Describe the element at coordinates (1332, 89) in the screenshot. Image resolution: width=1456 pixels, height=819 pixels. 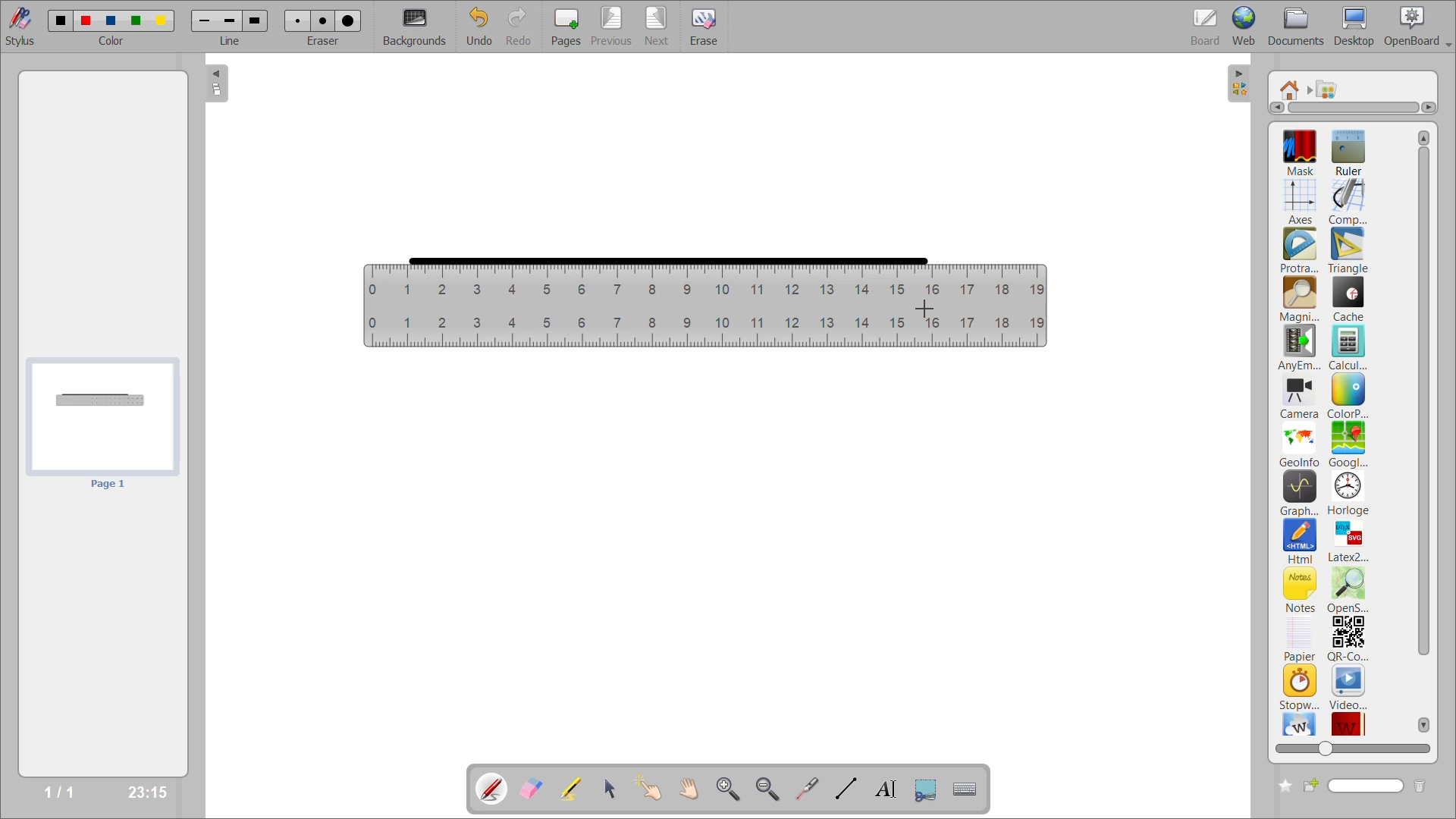
I see `applications` at that location.